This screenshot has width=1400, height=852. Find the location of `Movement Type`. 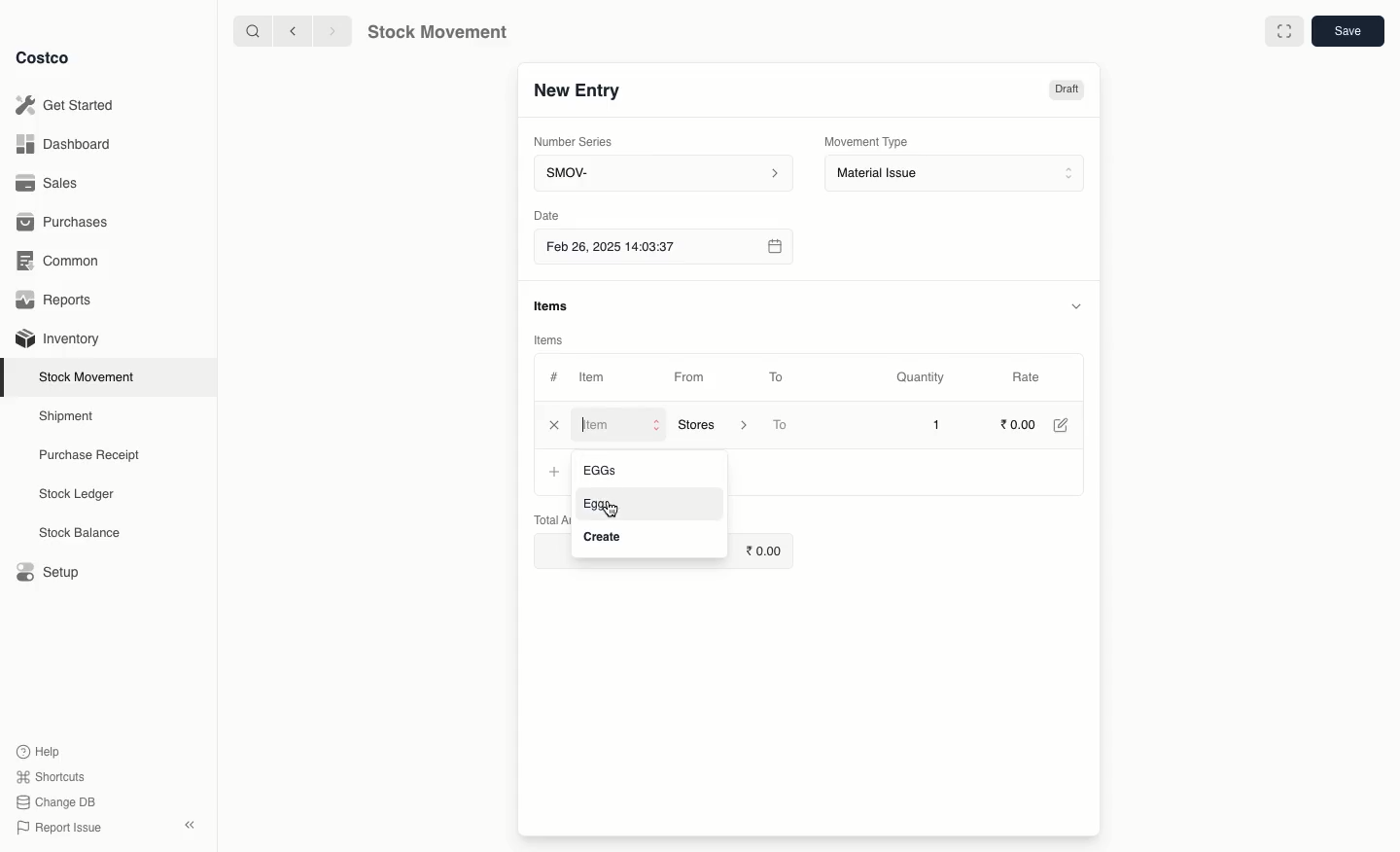

Movement Type is located at coordinates (867, 141).